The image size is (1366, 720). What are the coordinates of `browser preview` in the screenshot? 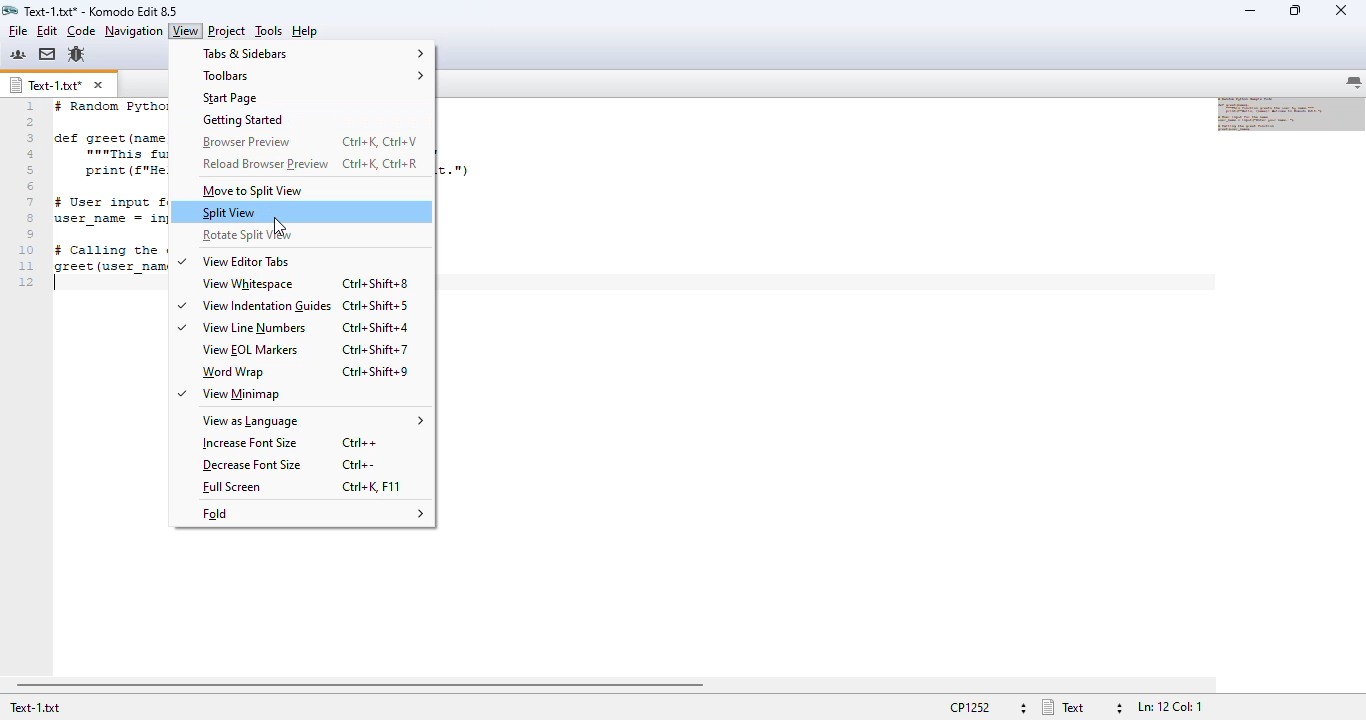 It's located at (250, 142).